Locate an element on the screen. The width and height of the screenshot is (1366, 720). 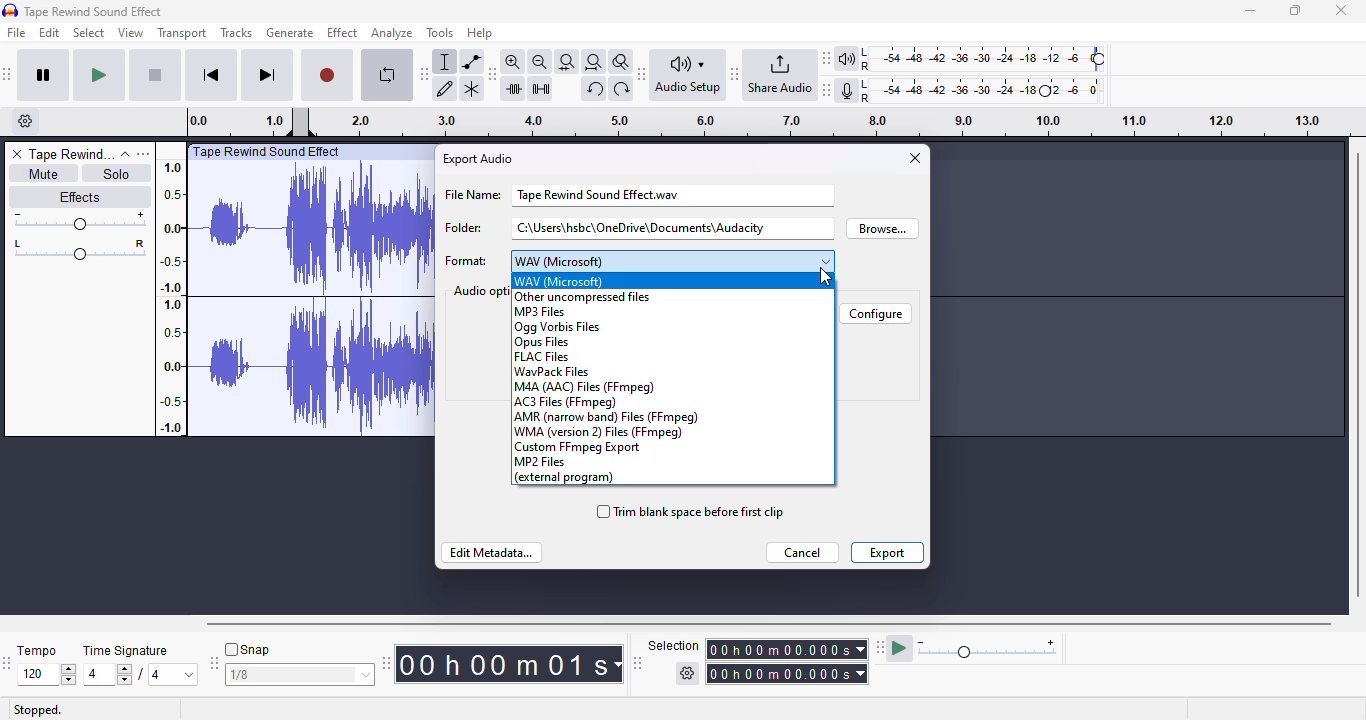
audacity snapping toolbar is located at coordinates (293, 661).